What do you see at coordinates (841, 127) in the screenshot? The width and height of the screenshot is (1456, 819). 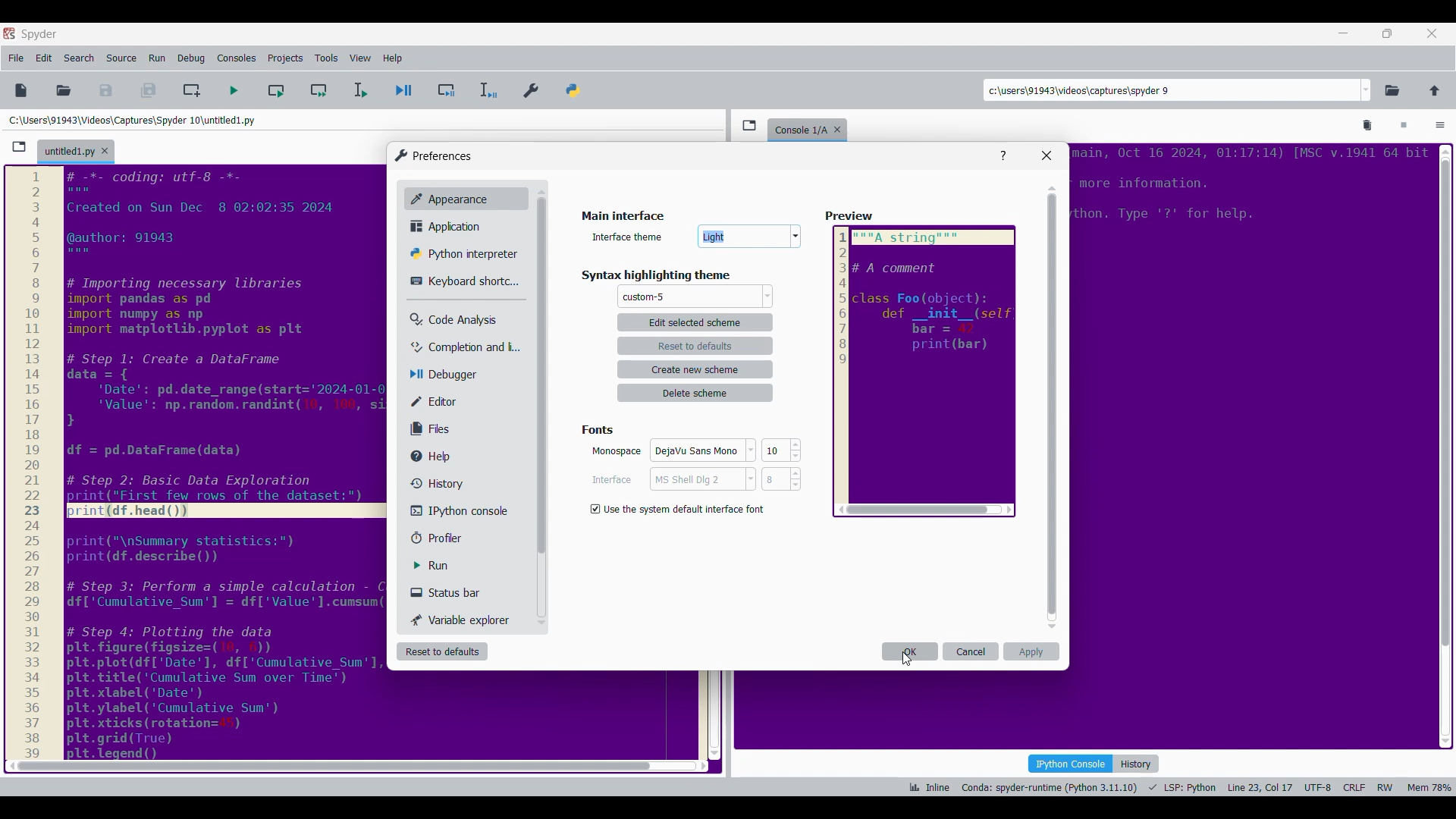 I see `Close tab` at bounding box center [841, 127].